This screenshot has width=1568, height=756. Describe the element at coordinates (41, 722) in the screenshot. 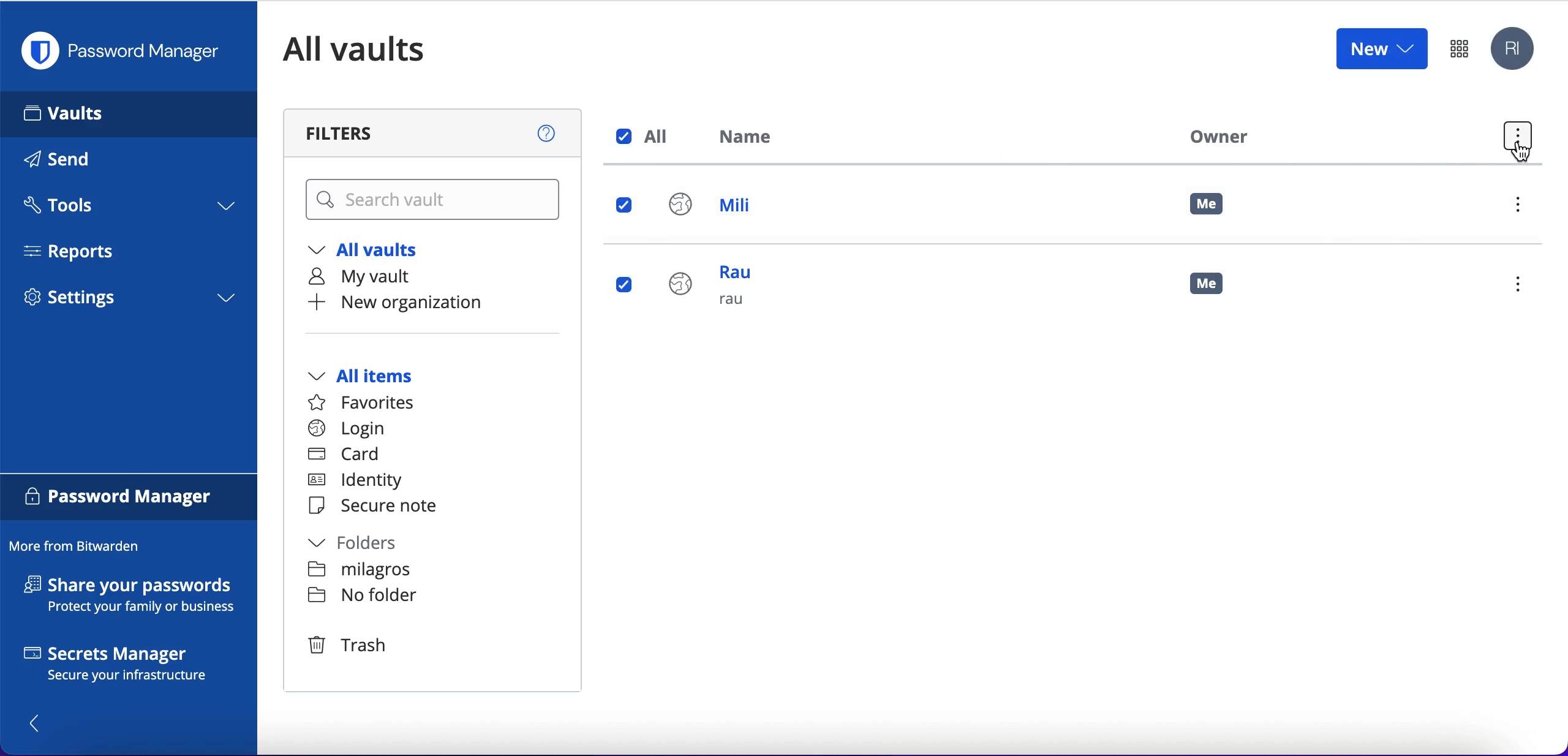

I see `show/hide panel` at that location.